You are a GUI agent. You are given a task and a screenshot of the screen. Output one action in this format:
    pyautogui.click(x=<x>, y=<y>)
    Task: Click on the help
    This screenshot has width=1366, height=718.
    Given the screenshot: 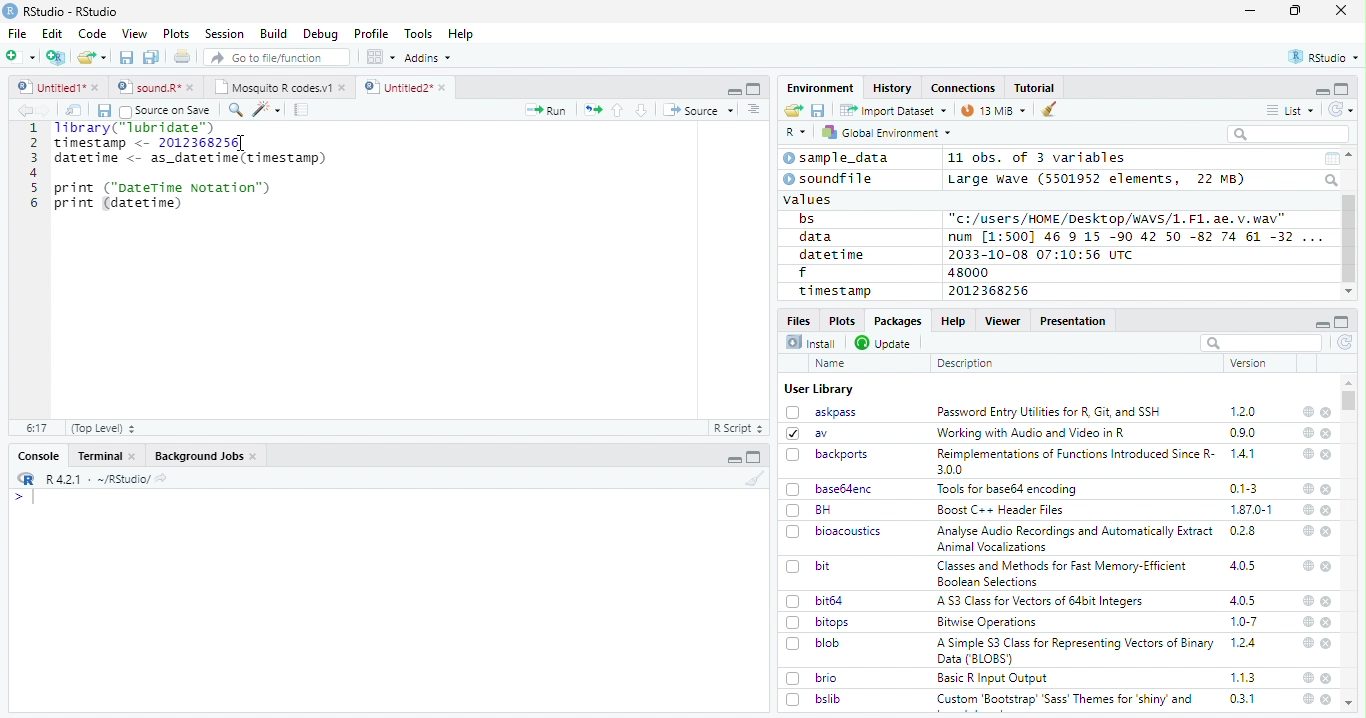 What is the action you would take?
    pyautogui.click(x=1306, y=530)
    